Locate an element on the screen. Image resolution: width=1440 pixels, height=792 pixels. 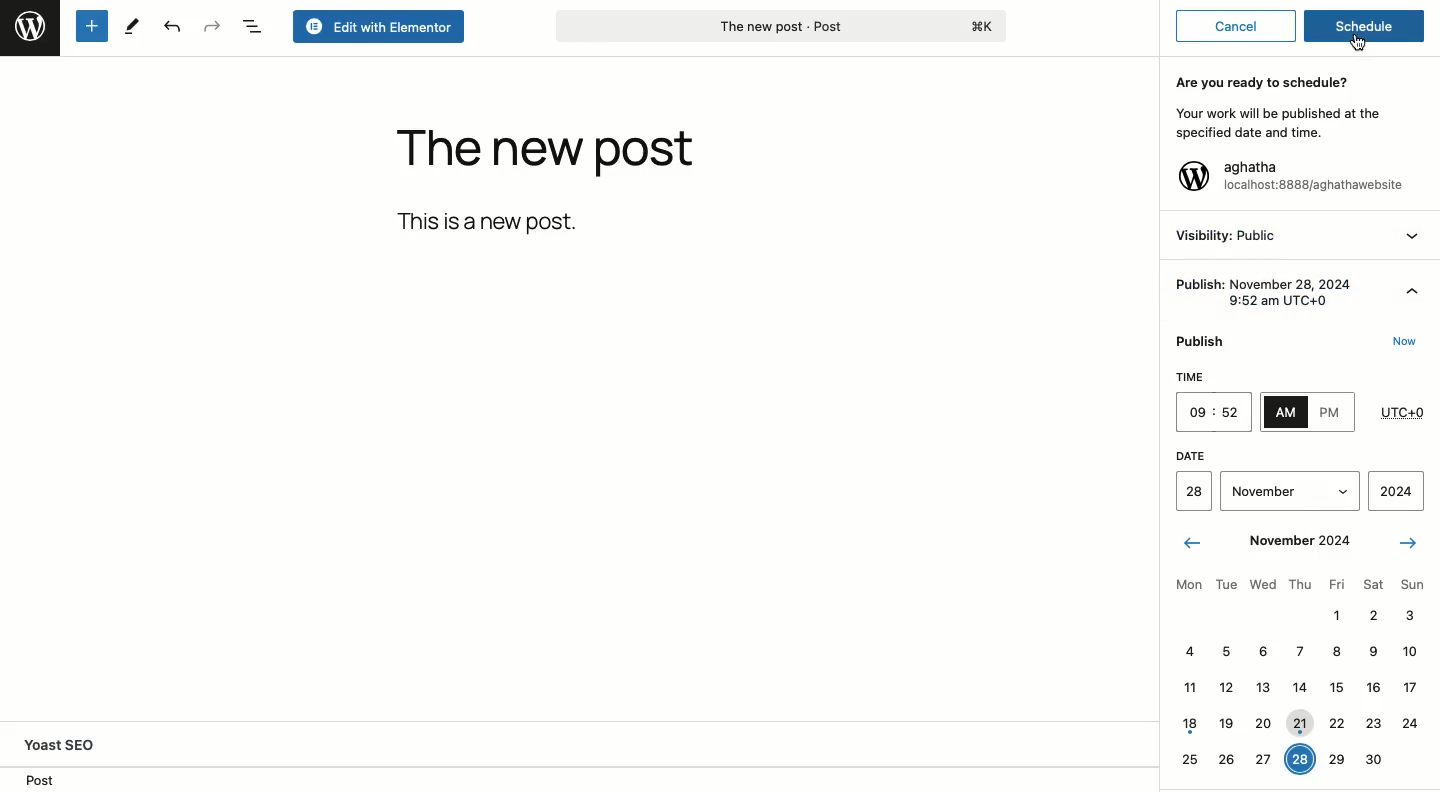
Edit with elementor is located at coordinates (379, 27).